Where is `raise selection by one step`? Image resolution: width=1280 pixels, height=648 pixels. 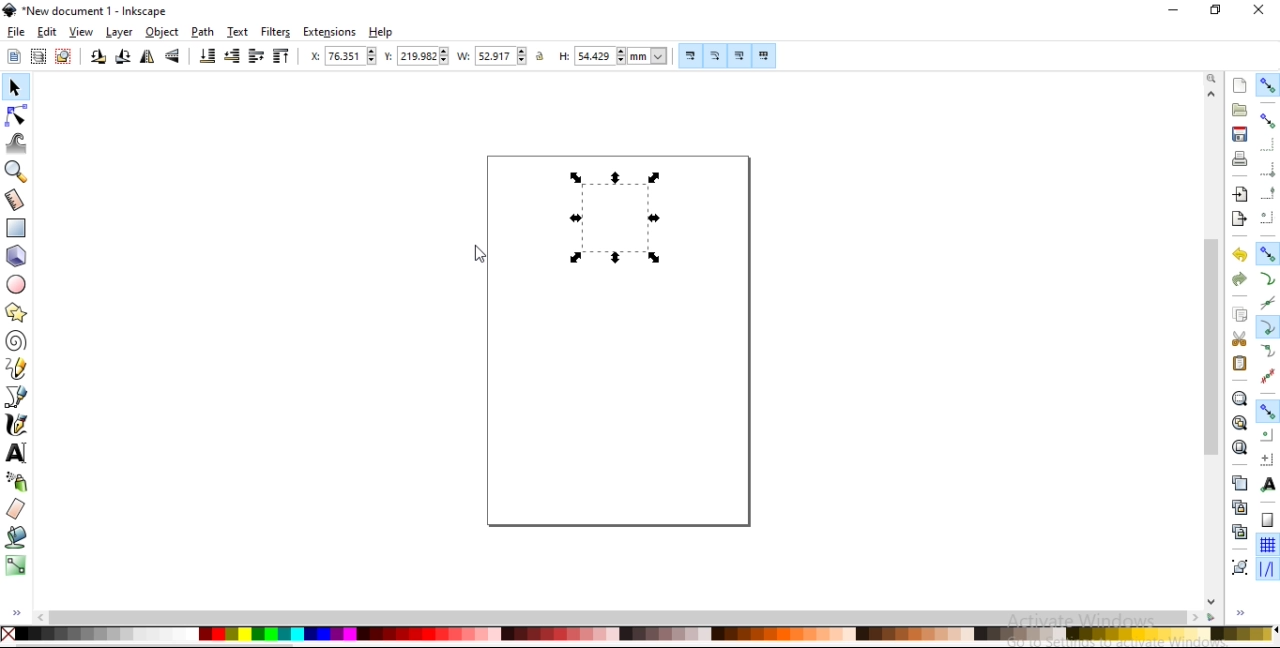
raise selection by one step is located at coordinates (257, 59).